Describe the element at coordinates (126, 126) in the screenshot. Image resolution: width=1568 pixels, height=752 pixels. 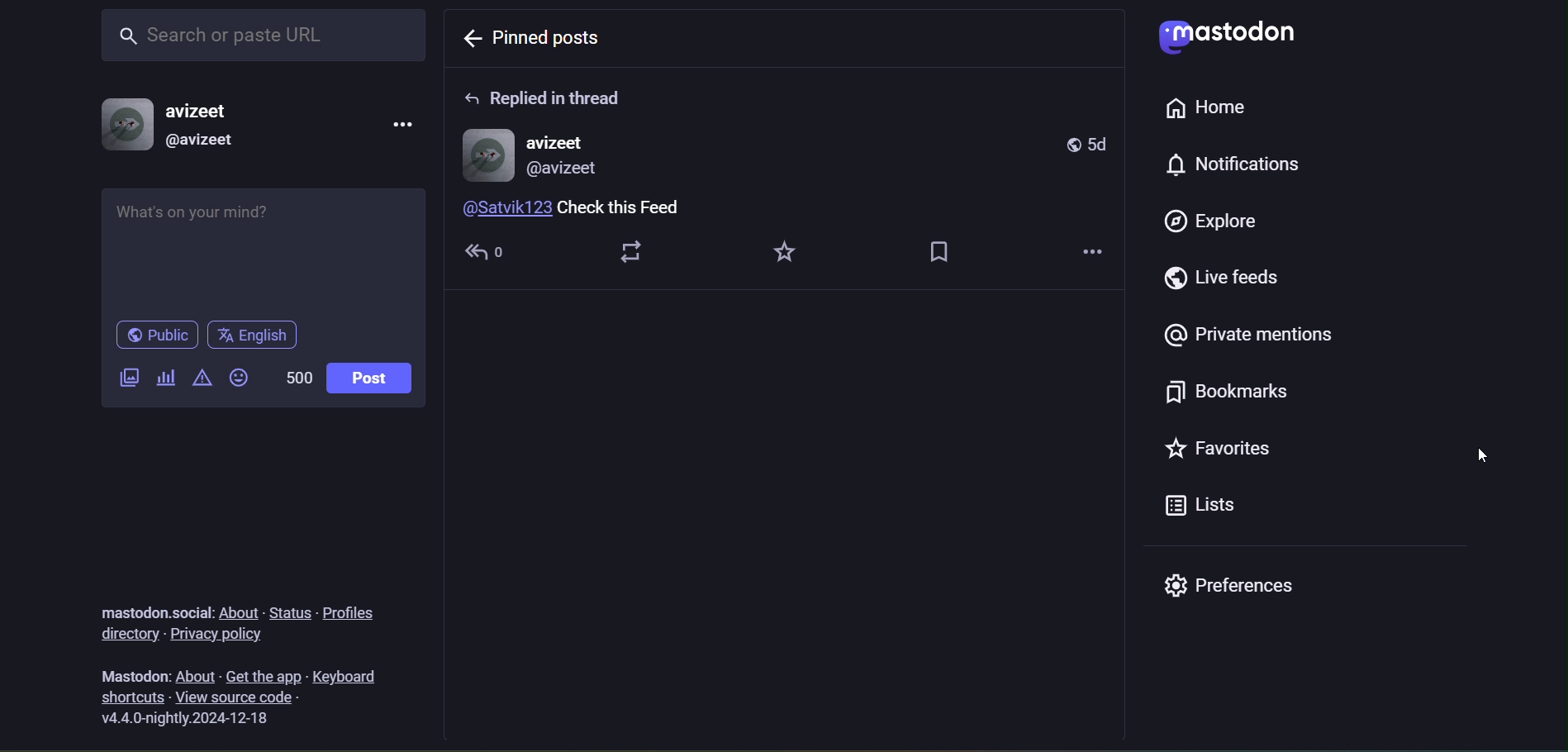
I see `profile picture` at that location.